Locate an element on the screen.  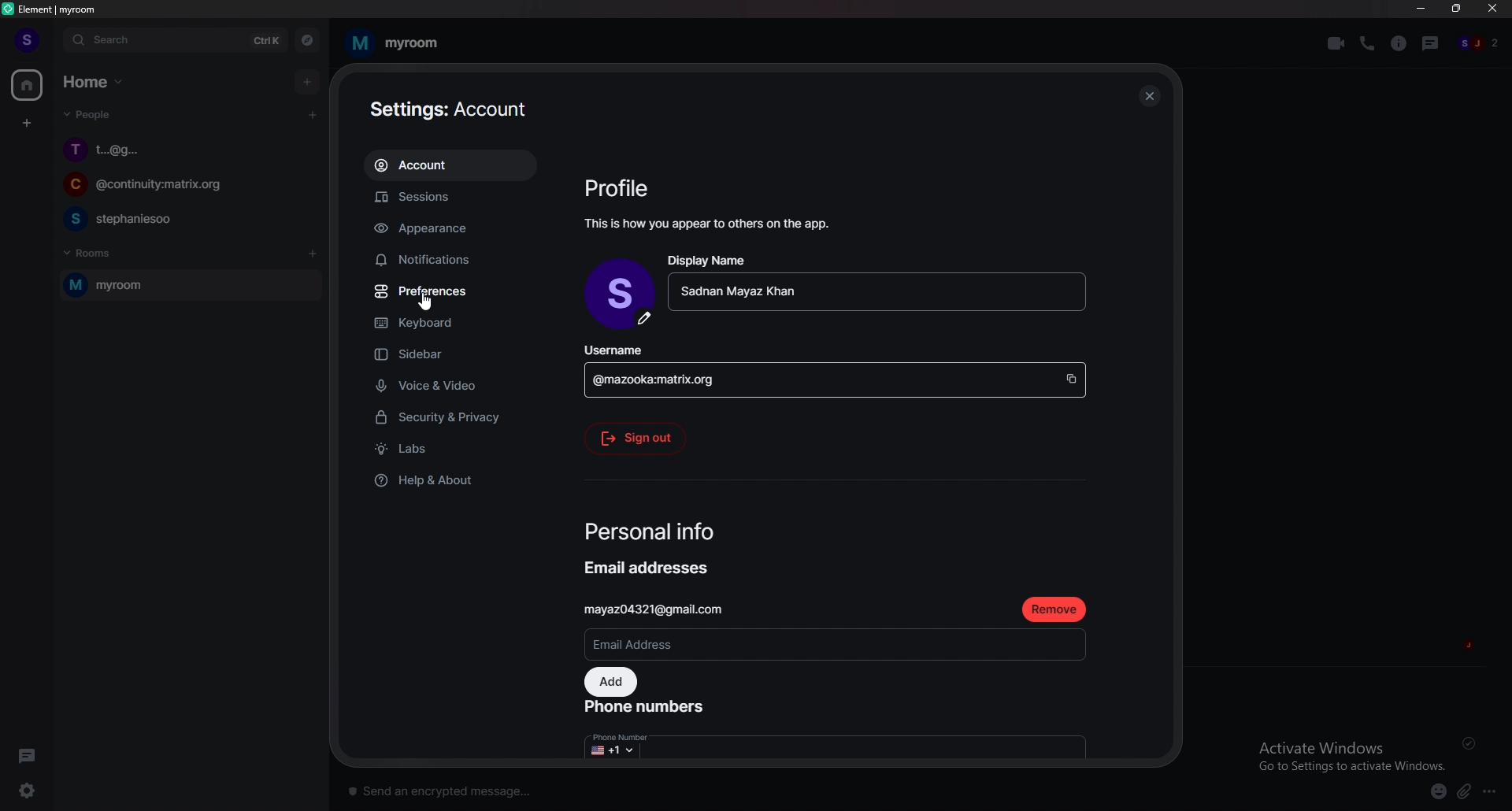
create a space is located at coordinates (28, 124).